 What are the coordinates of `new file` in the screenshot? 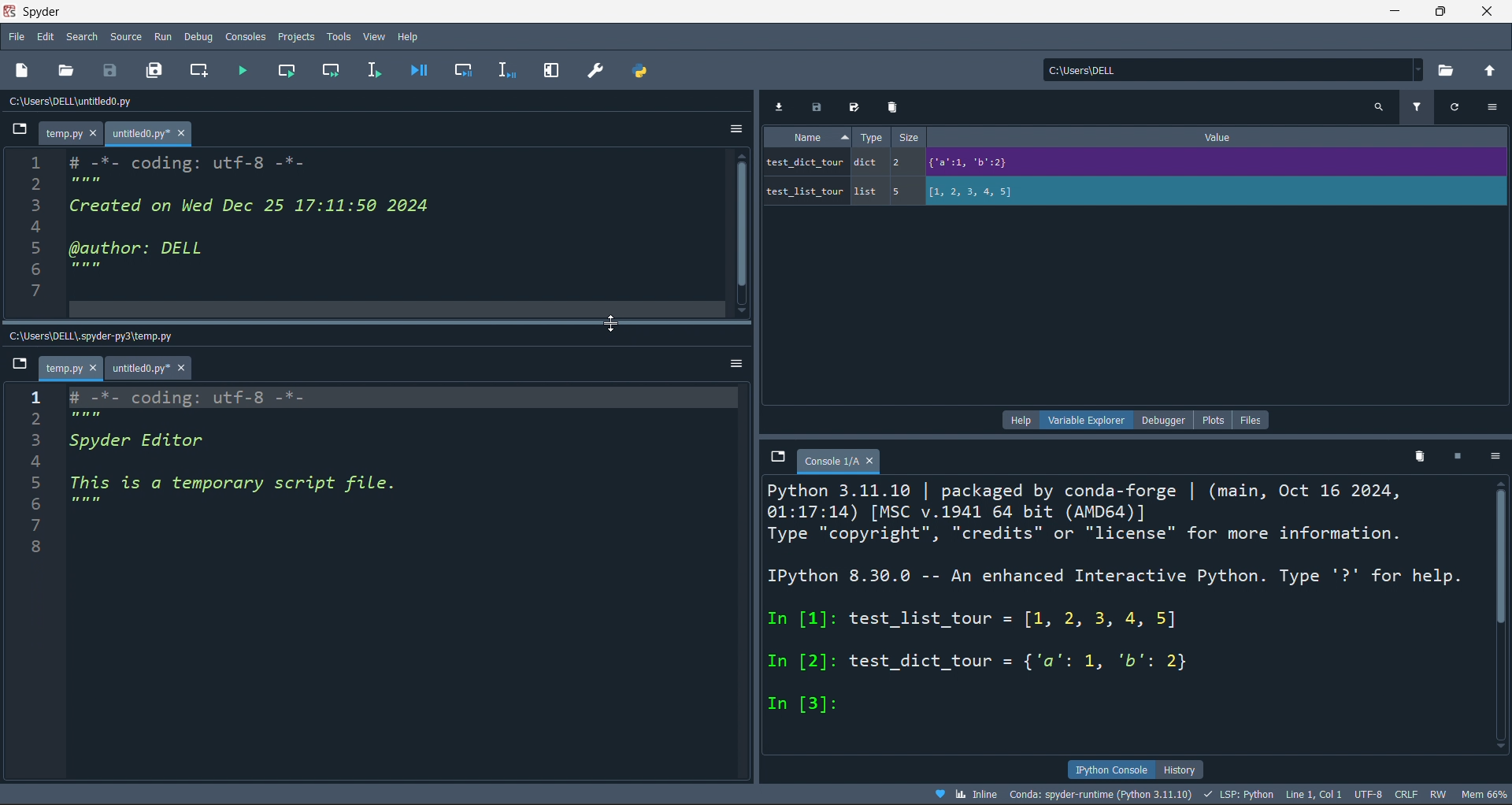 It's located at (31, 69).